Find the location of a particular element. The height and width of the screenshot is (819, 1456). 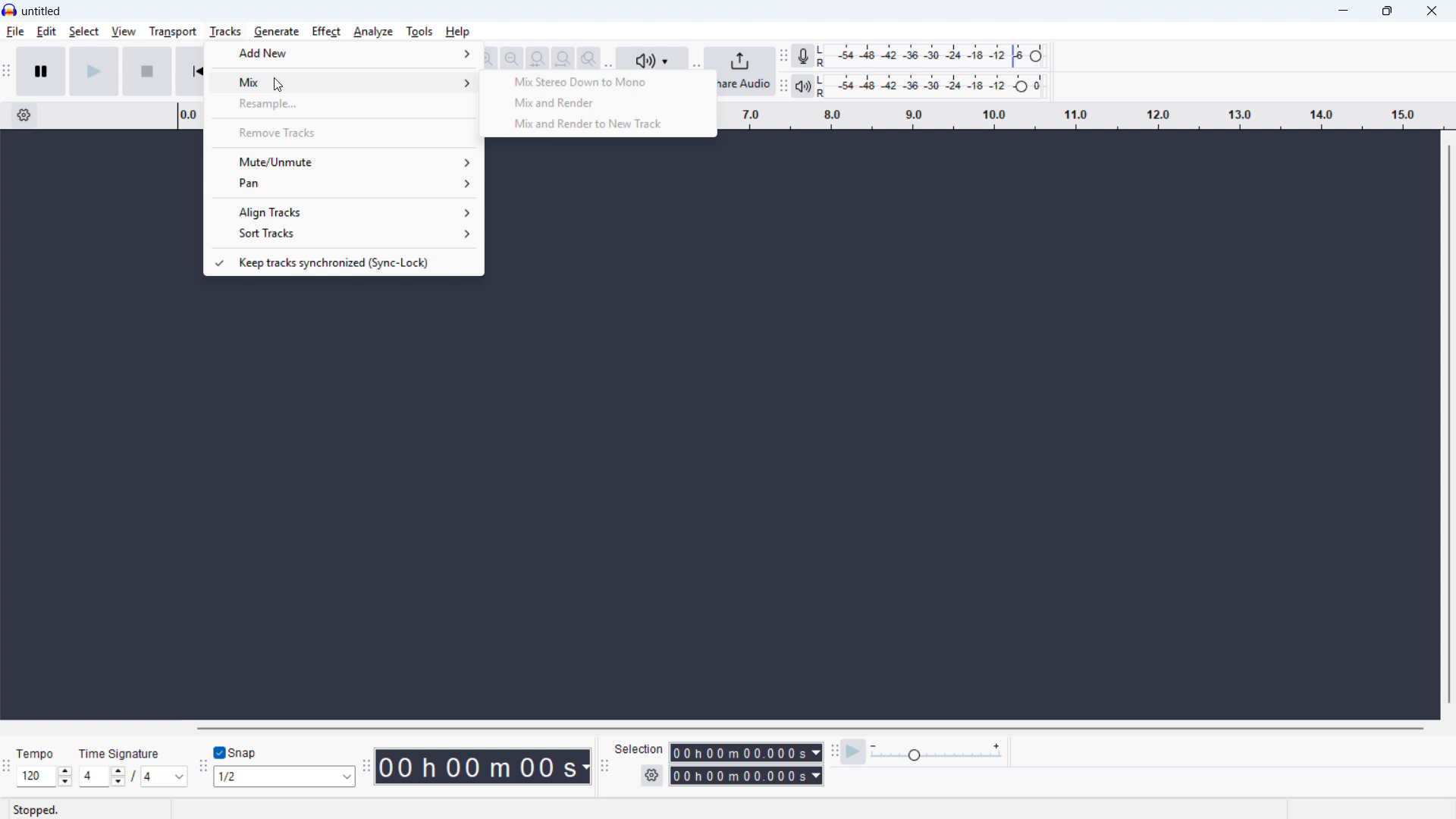

Edit  is located at coordinates (46, 33).